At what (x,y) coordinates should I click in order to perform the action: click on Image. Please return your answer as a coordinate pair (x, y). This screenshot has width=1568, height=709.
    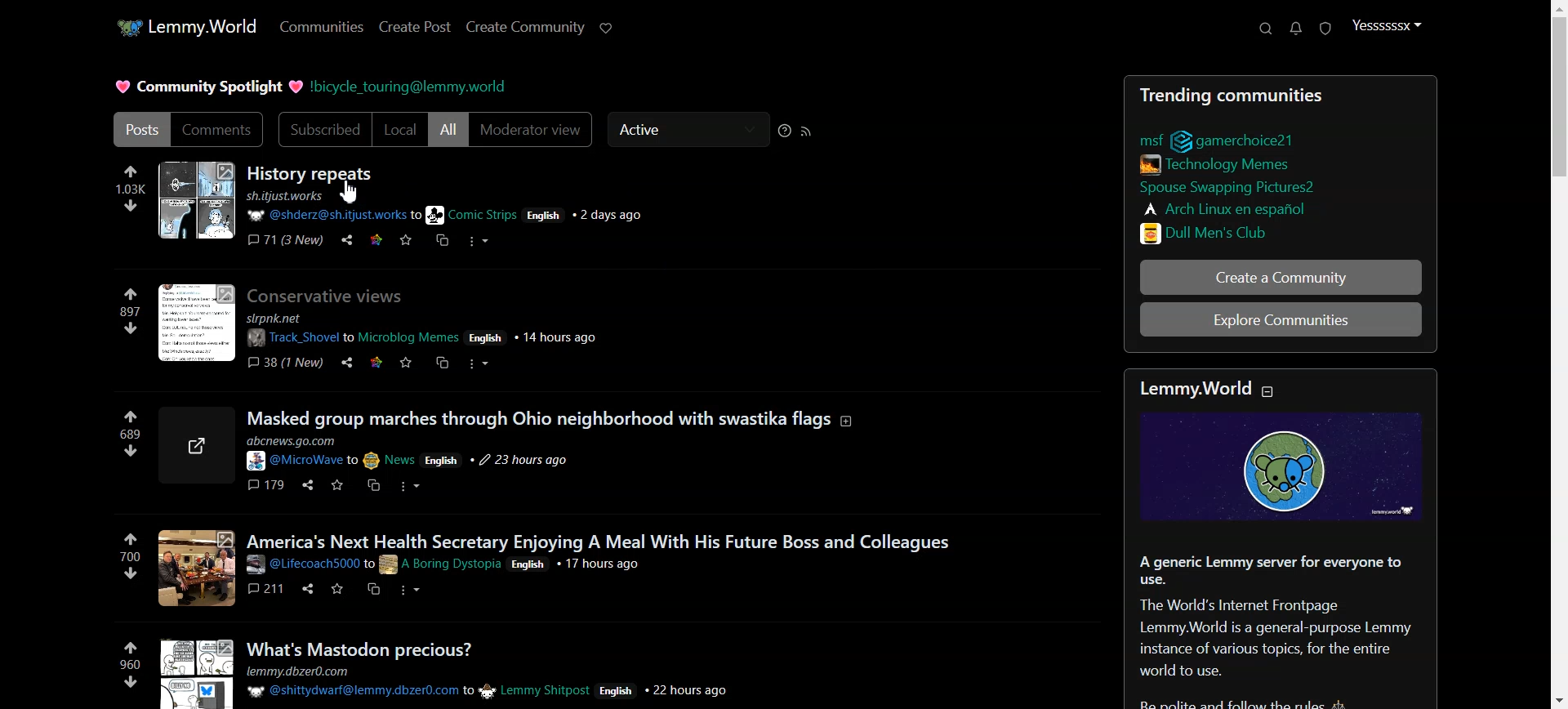
    Looking at the image, I should click on (196, 324).